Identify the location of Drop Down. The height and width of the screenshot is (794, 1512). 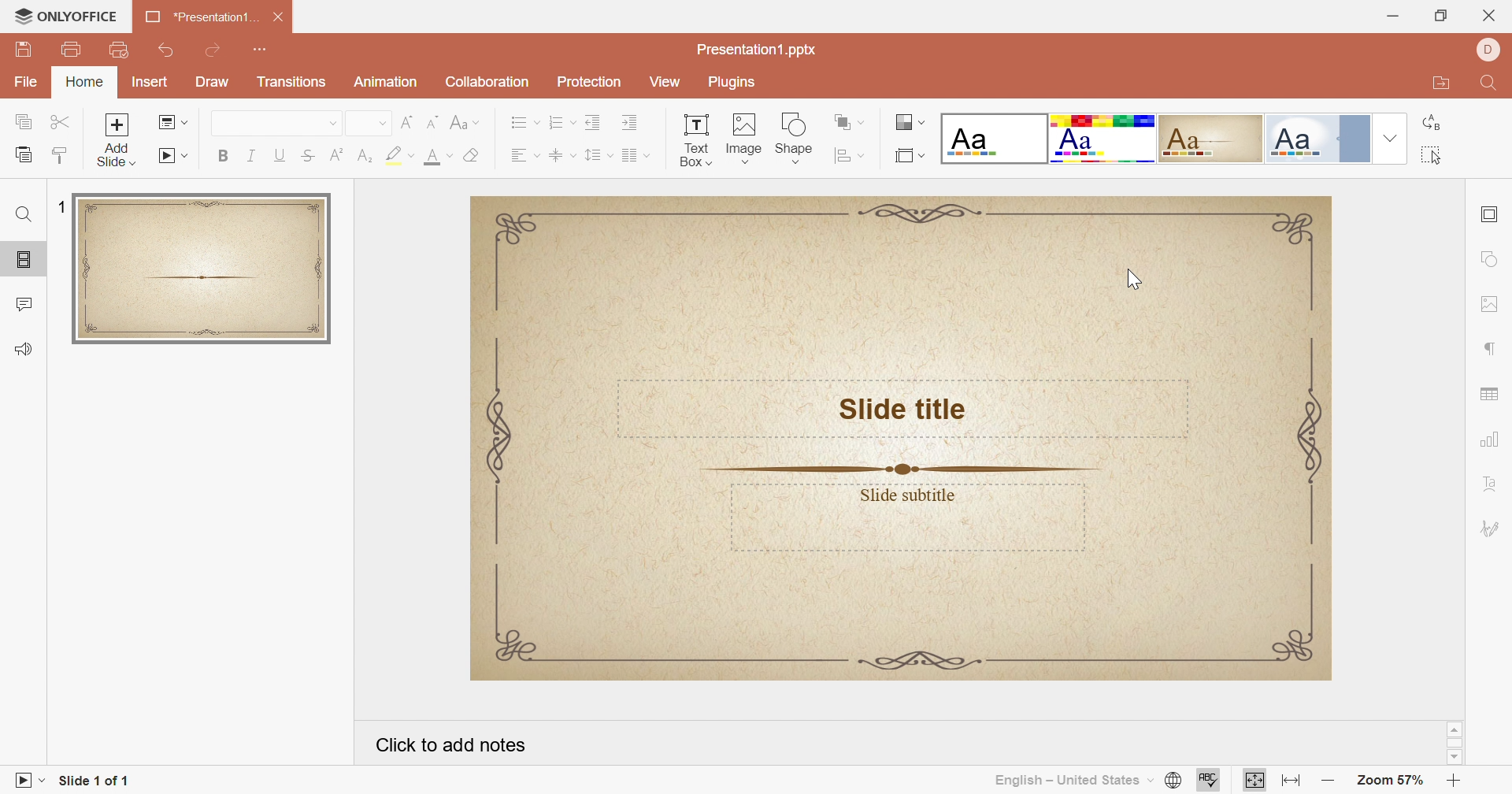
(45, 779).